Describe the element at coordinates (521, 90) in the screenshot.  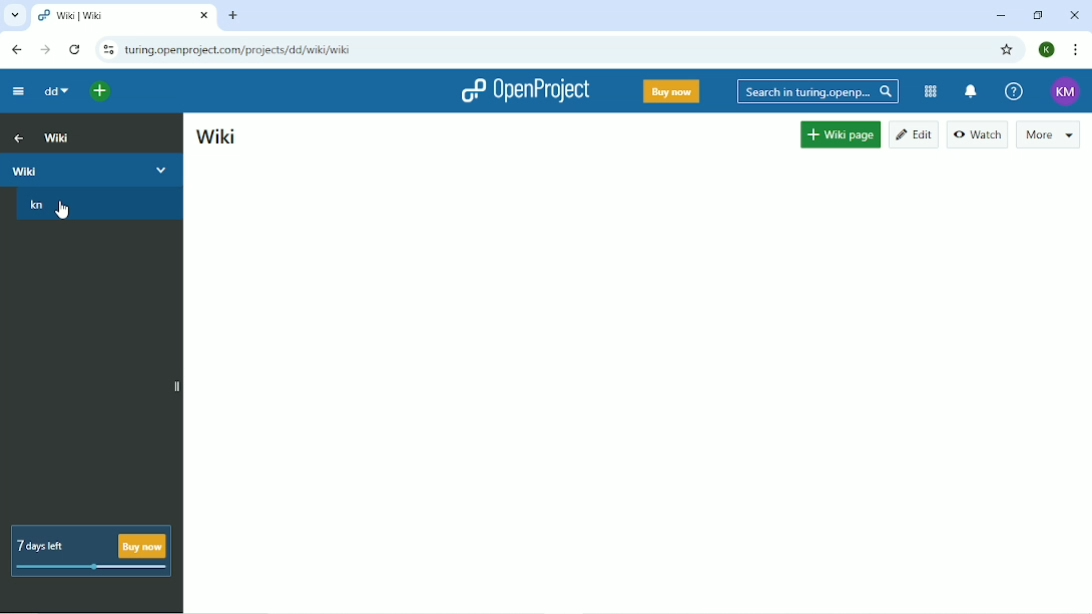
I see `OpenProject` at that location.